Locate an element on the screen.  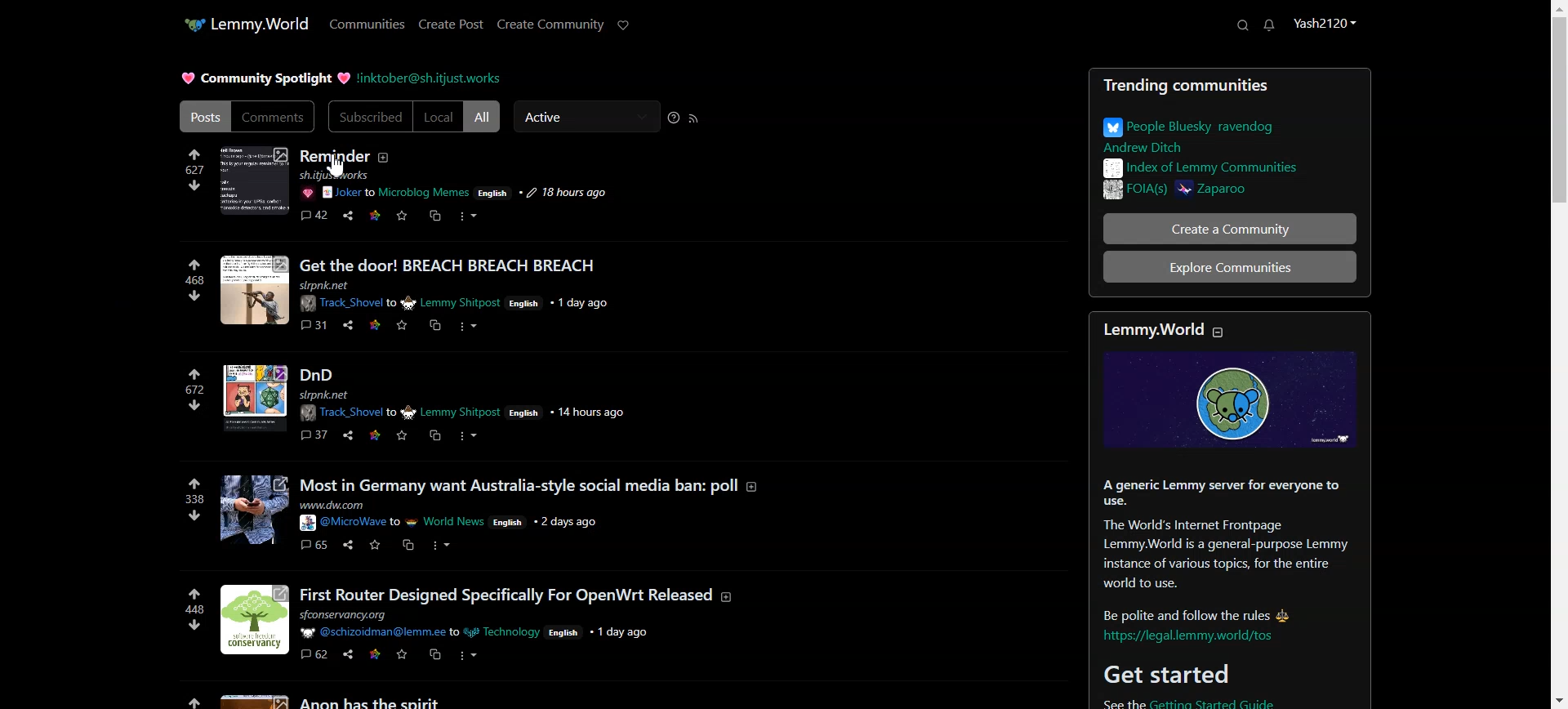
Link is located at coordinates (374, 215).